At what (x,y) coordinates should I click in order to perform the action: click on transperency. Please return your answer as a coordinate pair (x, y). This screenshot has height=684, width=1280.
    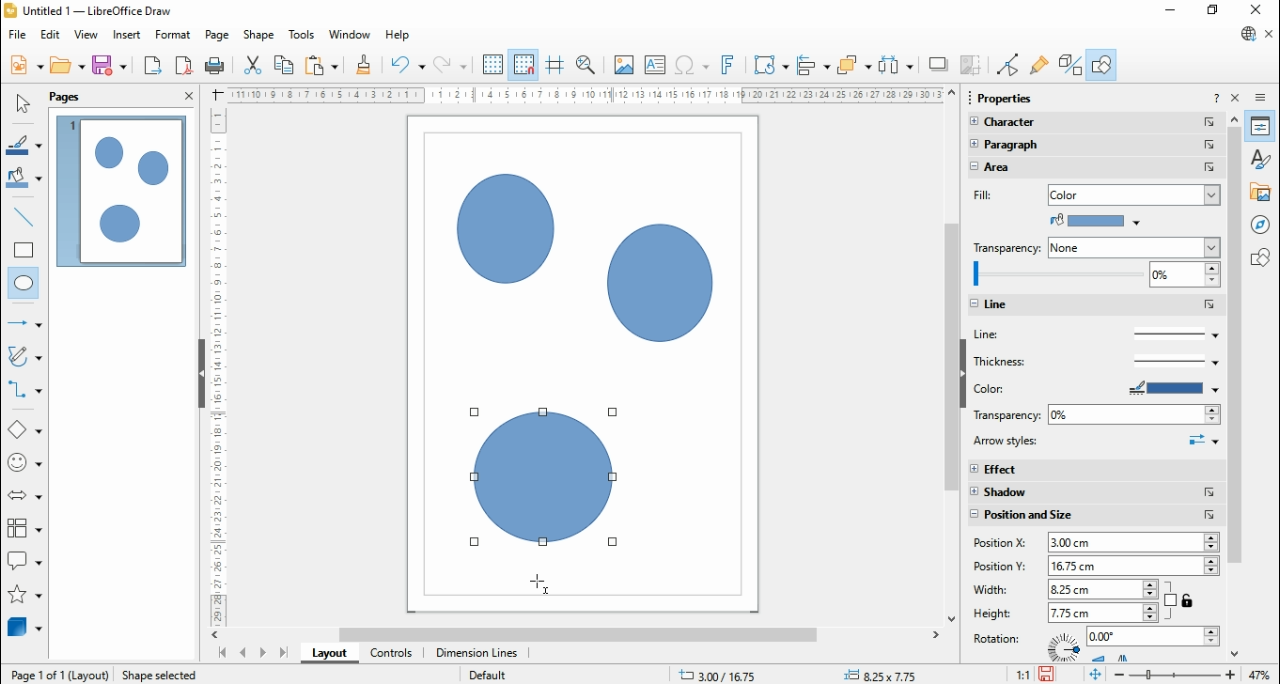
    Looking at the image, I should click on (1005, 416).